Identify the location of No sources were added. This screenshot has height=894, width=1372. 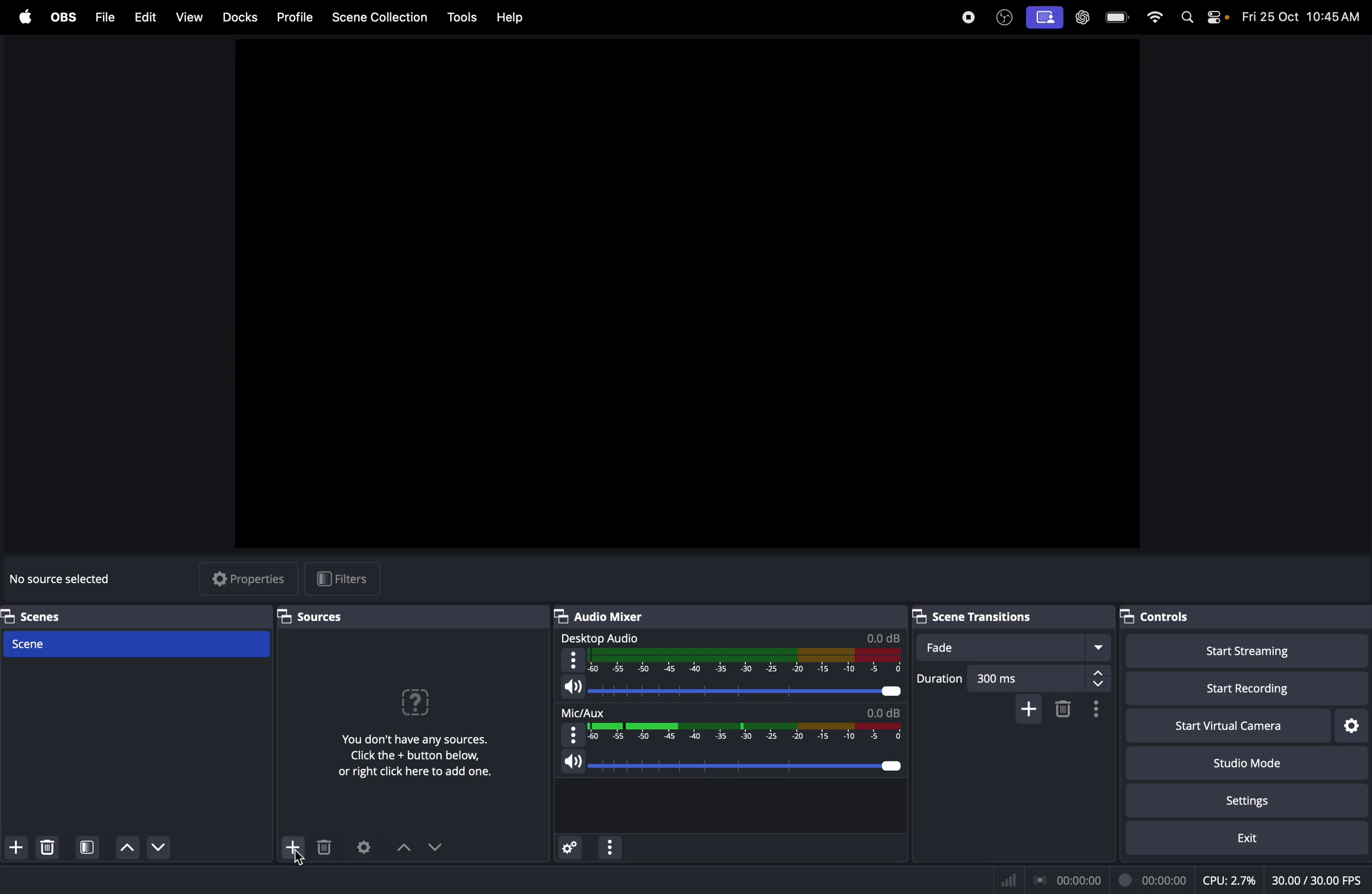
(415, 733).